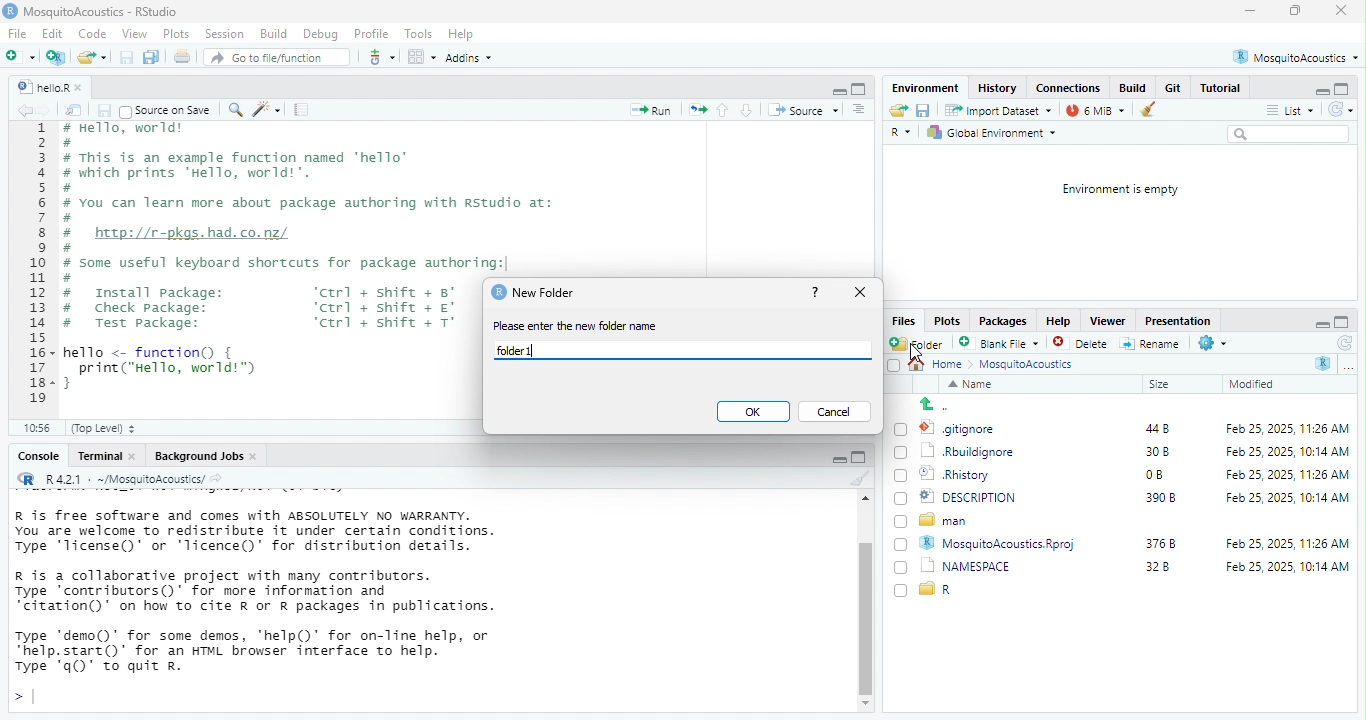 The width and height of the screenshot is (1366, 720). I want to click on MosquitoAcoustics - RStudio, so click(104, 12).